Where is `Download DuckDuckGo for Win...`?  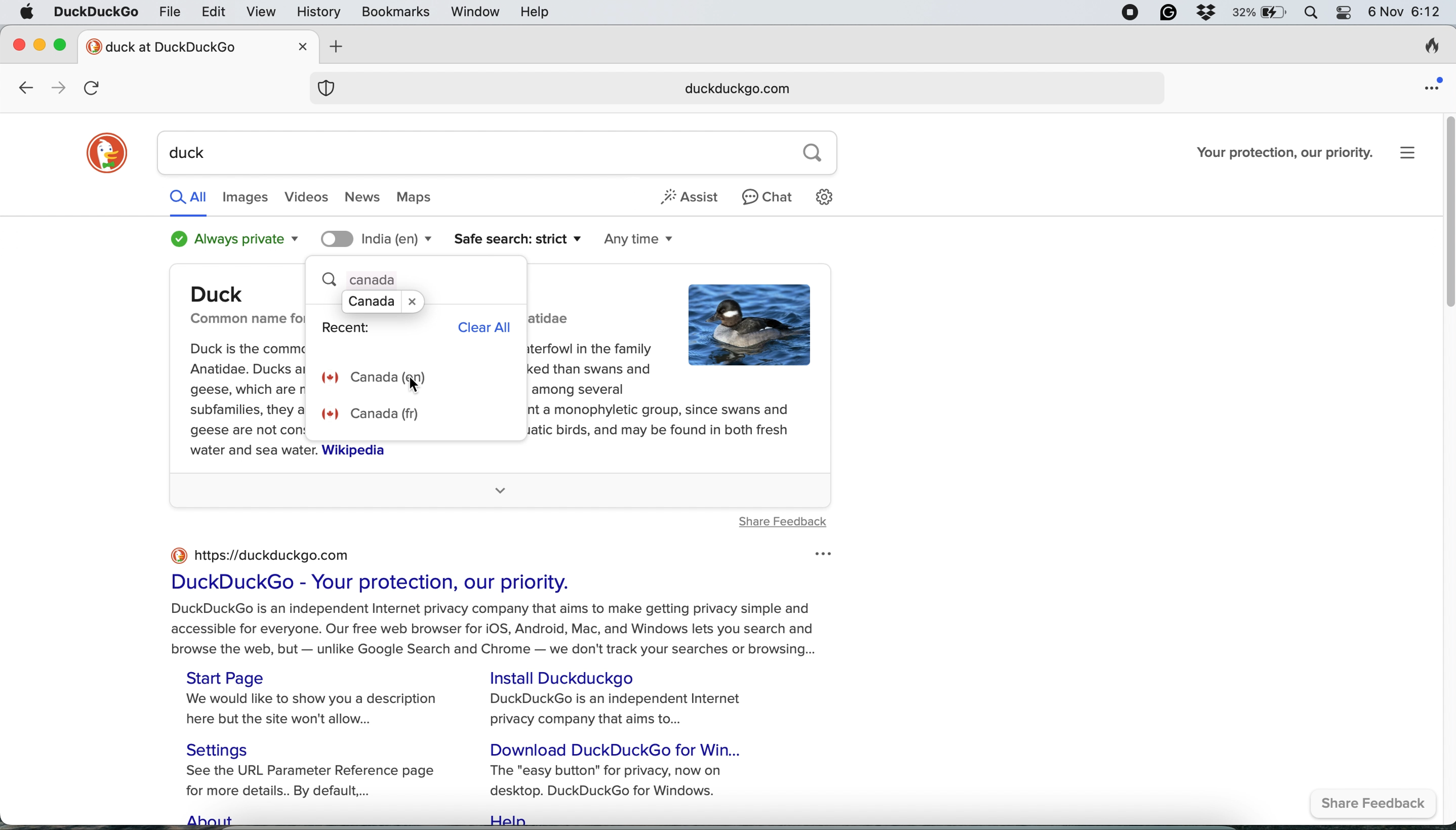
Download DuckDuckGo for Win... is located at coordinates (621, 748).